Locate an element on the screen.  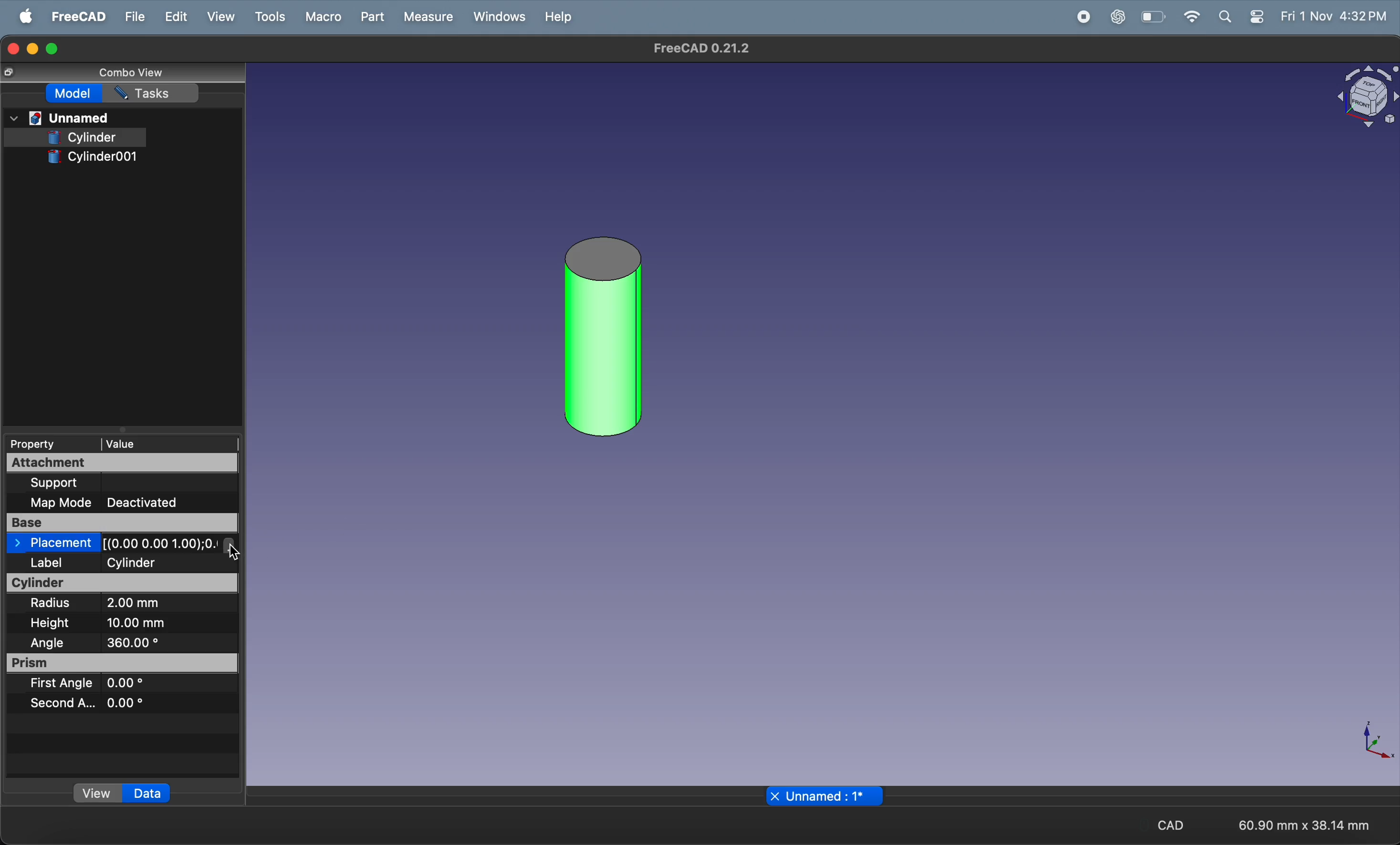
close is located at coordinates (774, 796).